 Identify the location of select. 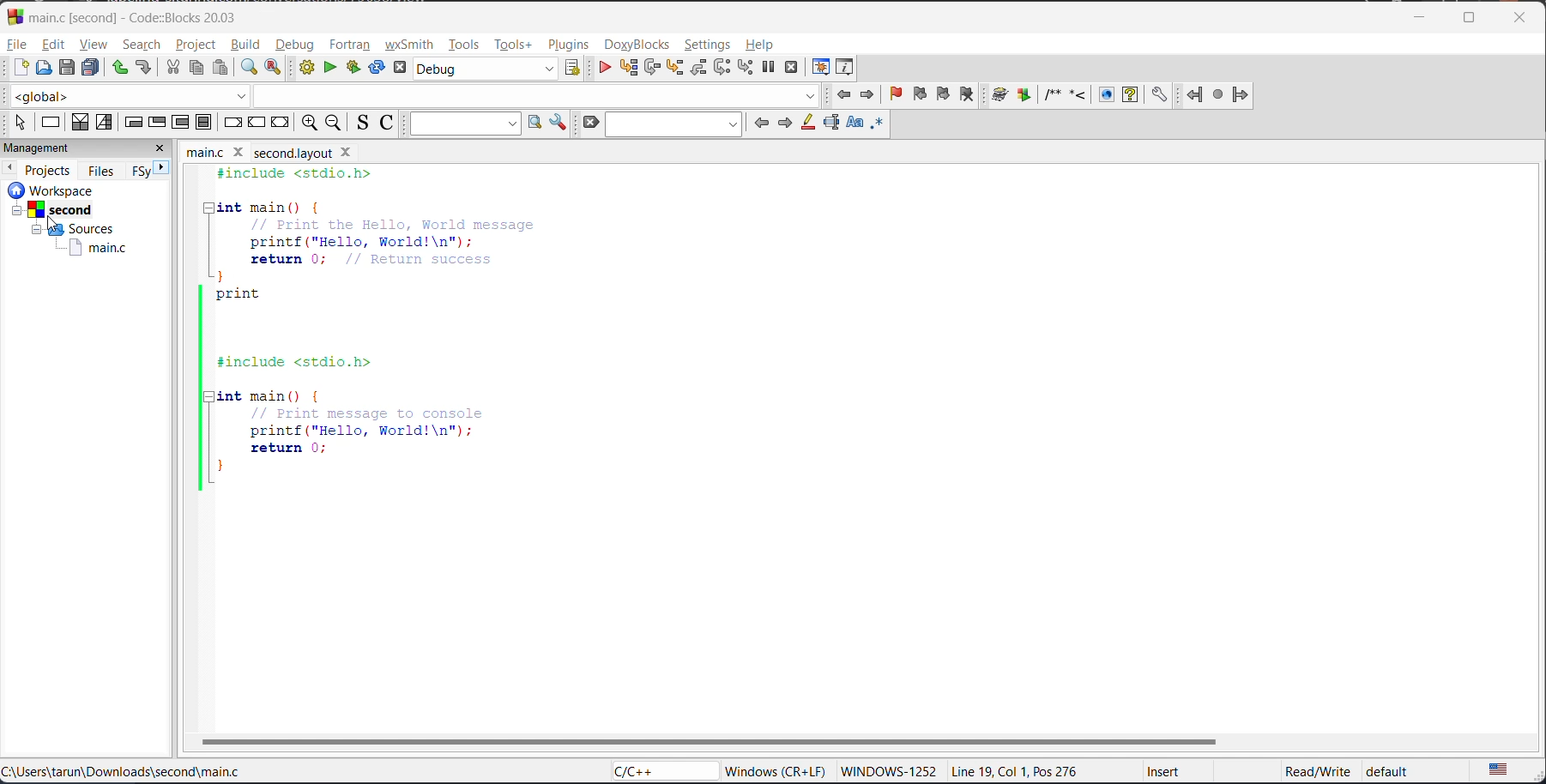
(24, 122).